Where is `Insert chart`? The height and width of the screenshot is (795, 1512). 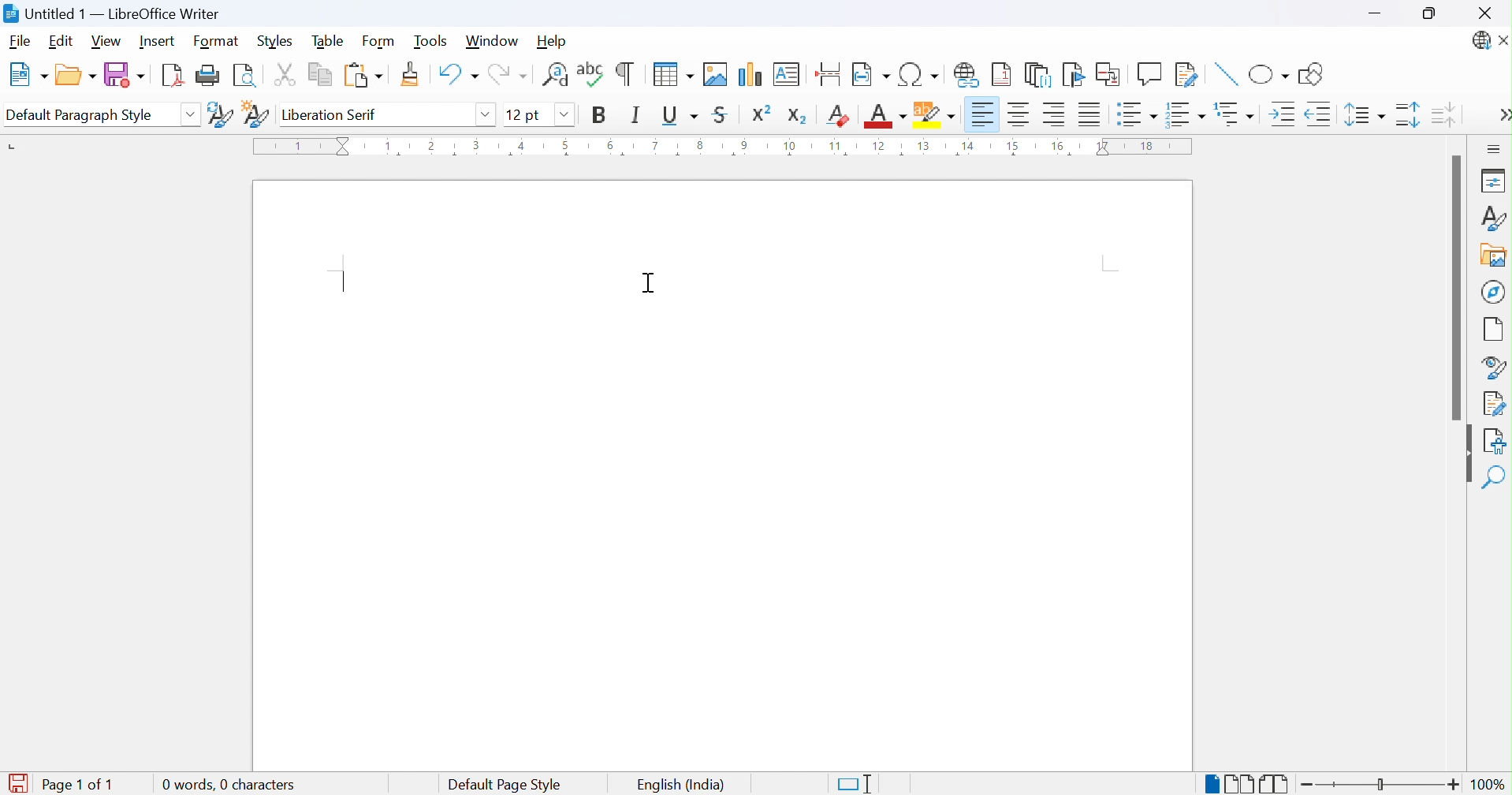
Insert chart is located at coordinates (750, 75).